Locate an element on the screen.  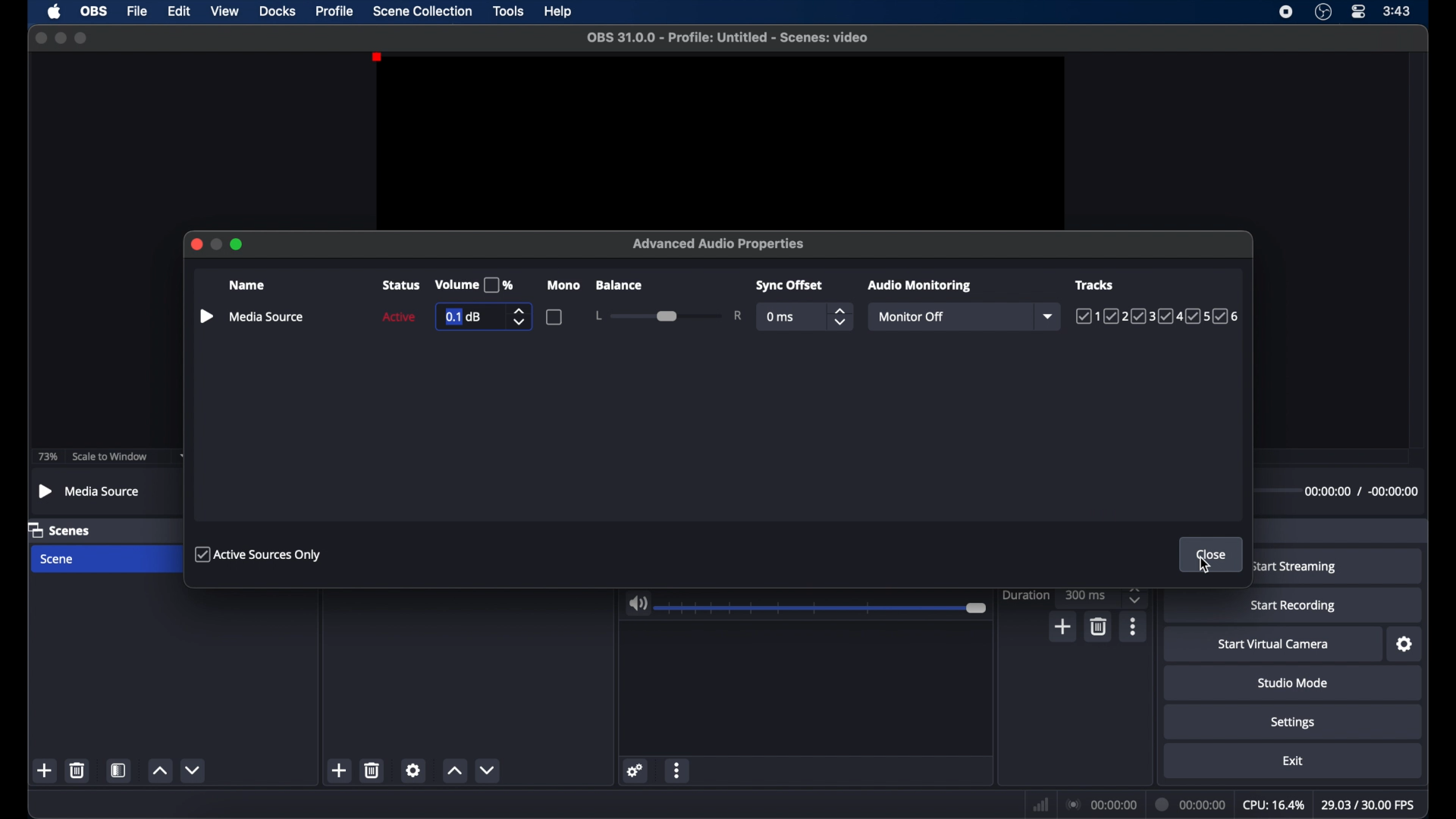
OBS 31.0.0 - Profile: Untitled - Scenes: video is located at coordinates (723, 38).